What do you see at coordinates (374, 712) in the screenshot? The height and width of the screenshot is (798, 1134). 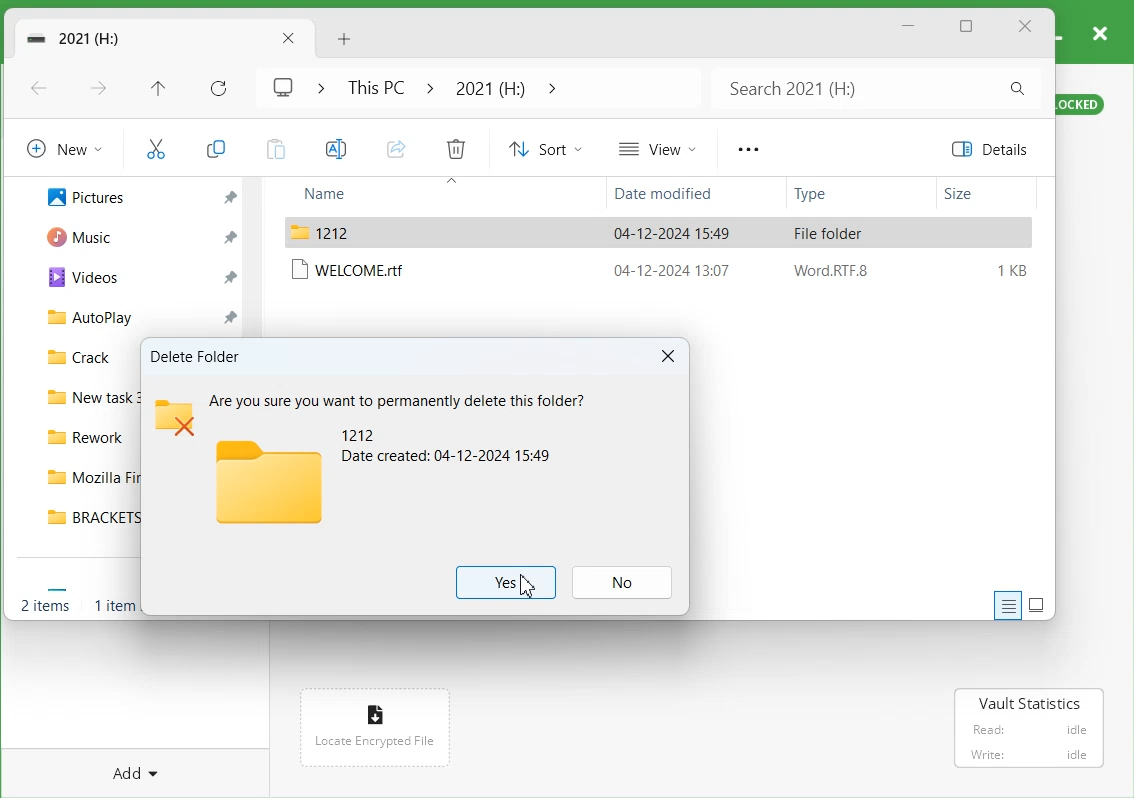 I see `Icon` at bounding box center [374, 712].